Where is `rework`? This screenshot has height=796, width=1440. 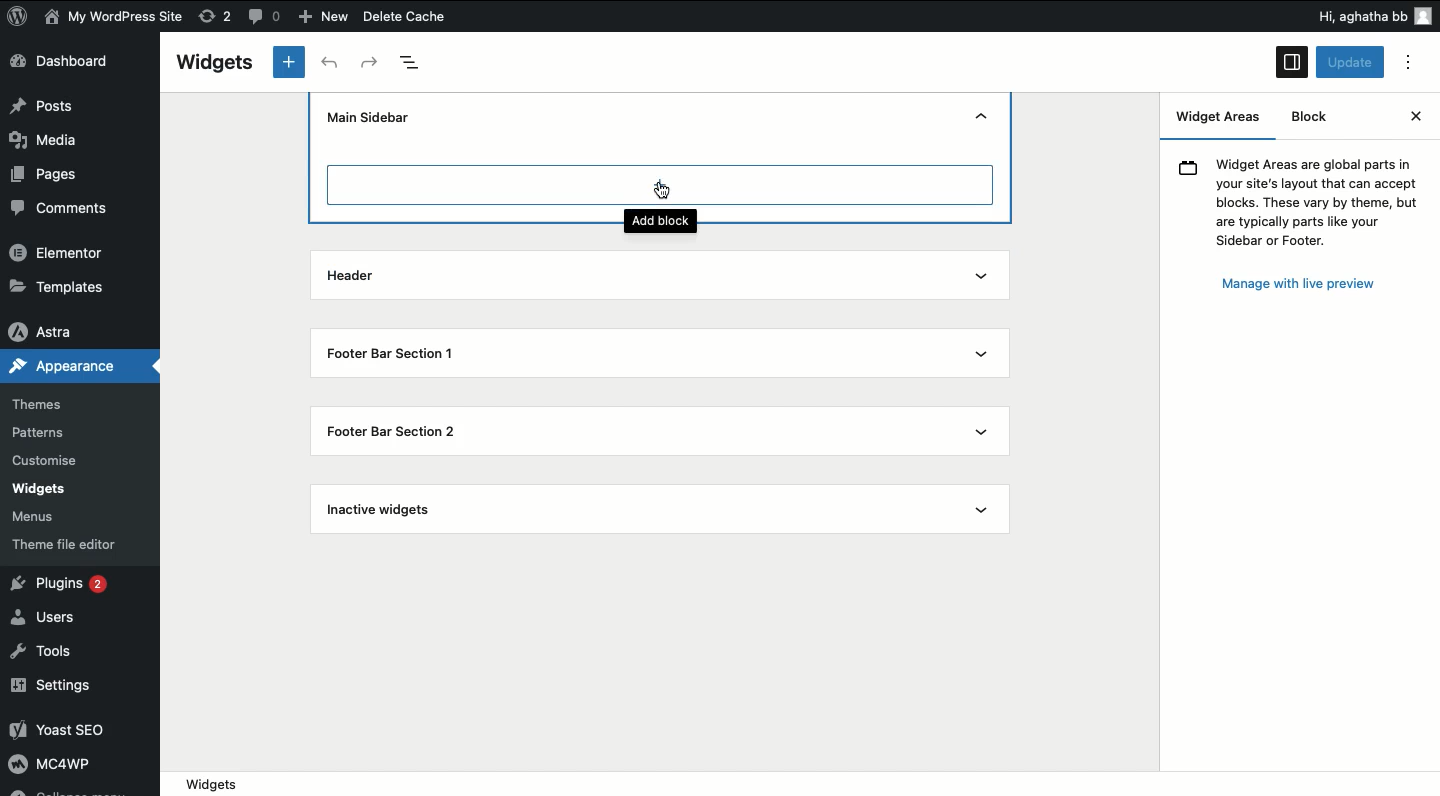 rework is located at coordinates (212, 15).